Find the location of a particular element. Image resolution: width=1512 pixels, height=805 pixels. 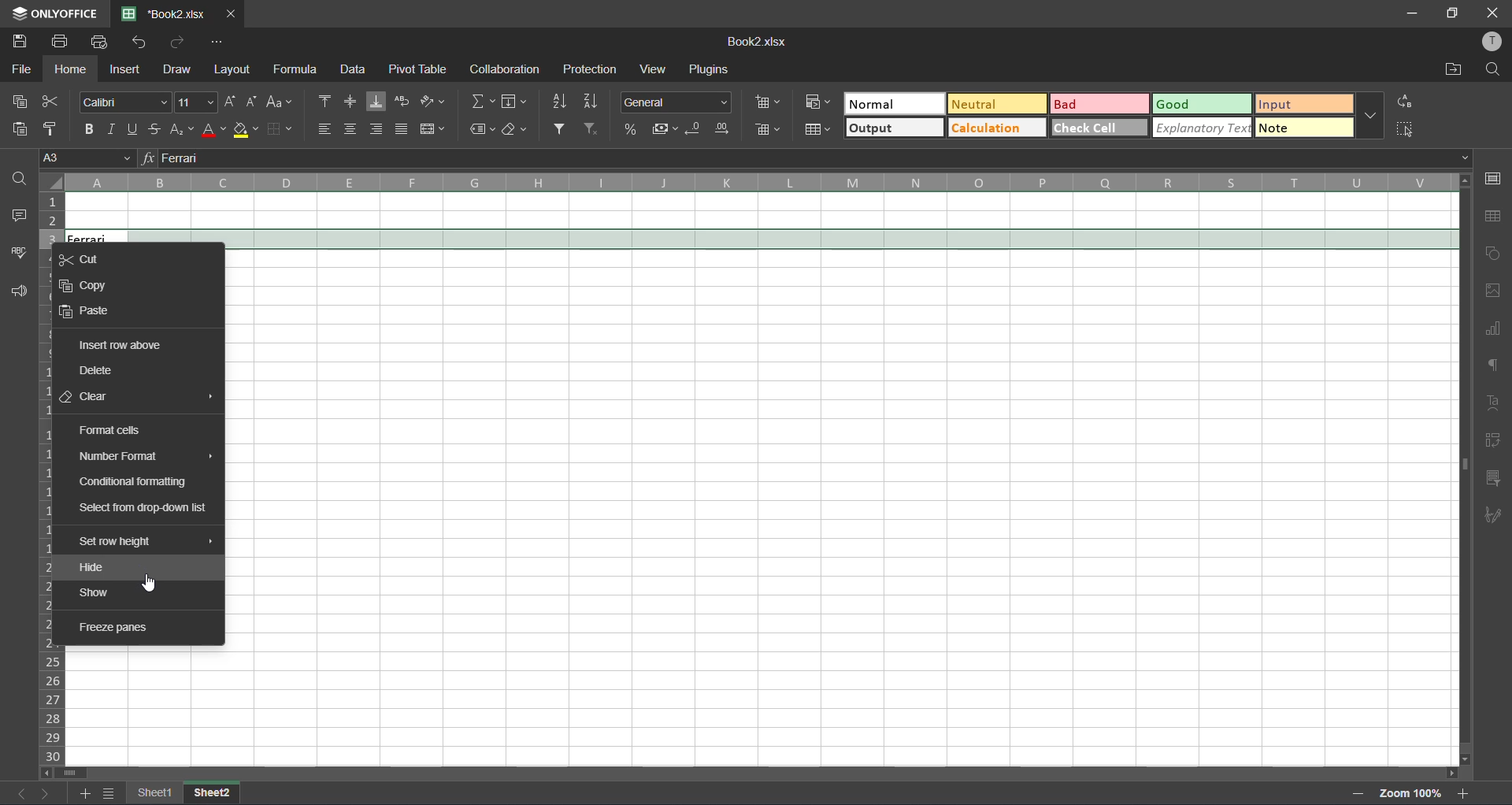

maximize is located at coordinates (1453, 14).